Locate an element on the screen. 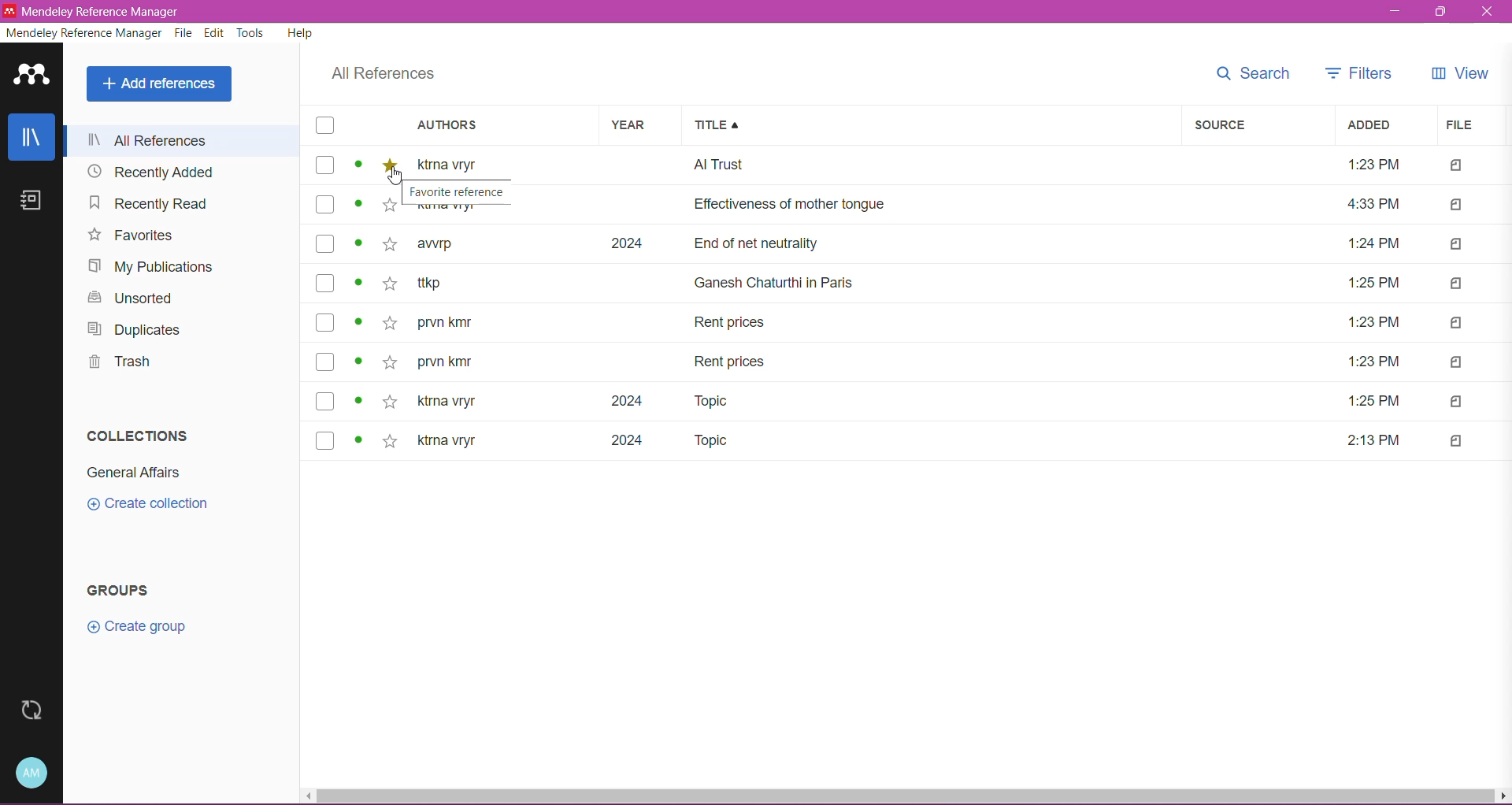  Close is located at coordinates (1492, 12).